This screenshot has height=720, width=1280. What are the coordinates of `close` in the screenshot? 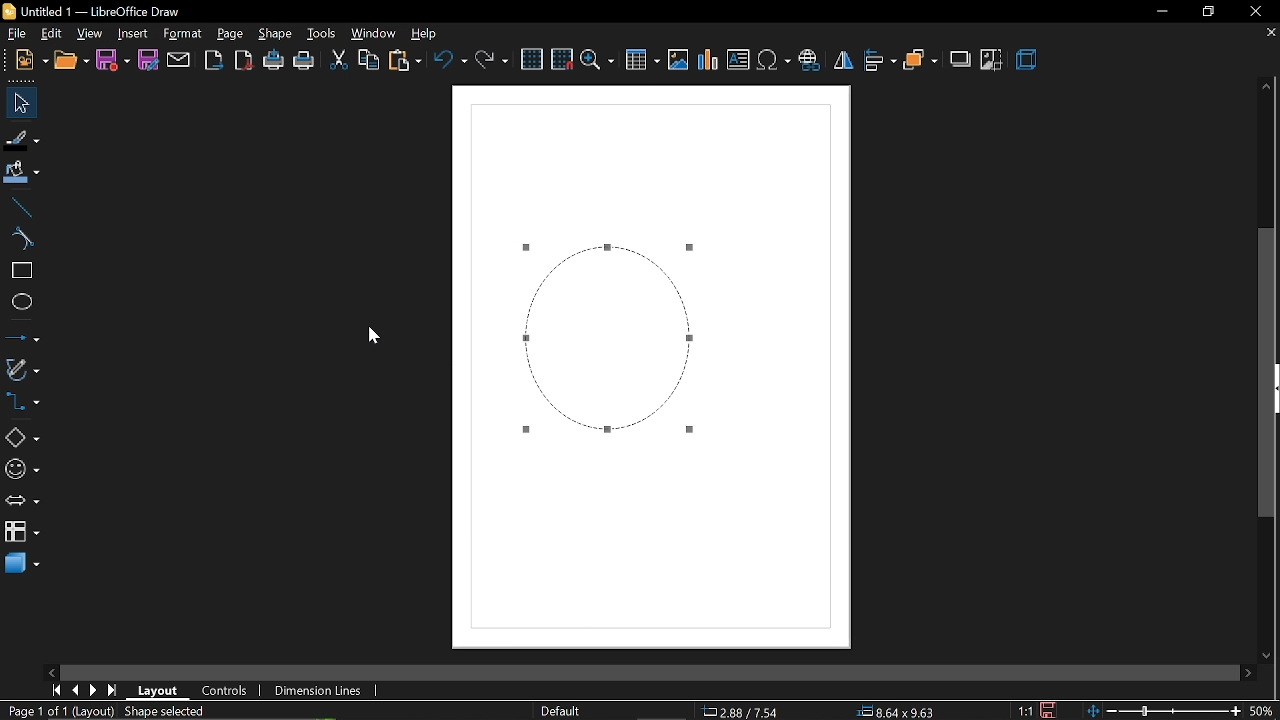 It's located at (1254, 11).